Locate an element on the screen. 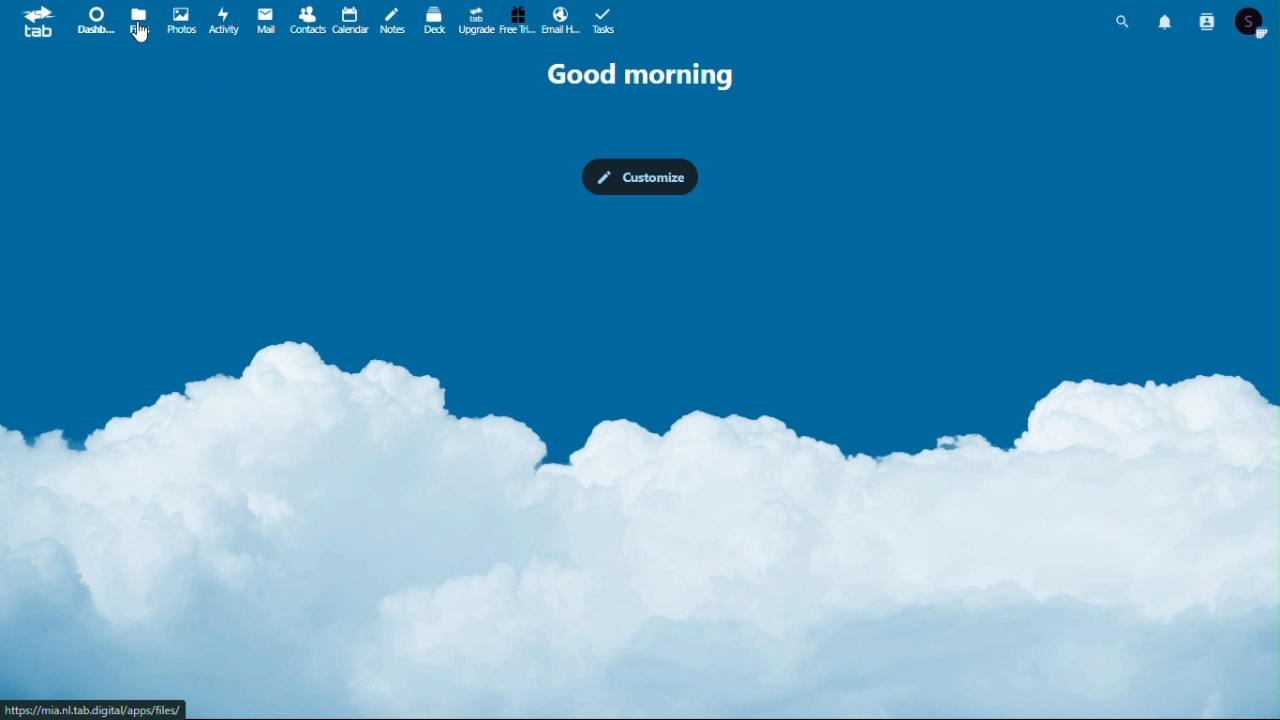 The width and height of the screenshot is (1280, 720). Customise is located at coordinates (643, 177).